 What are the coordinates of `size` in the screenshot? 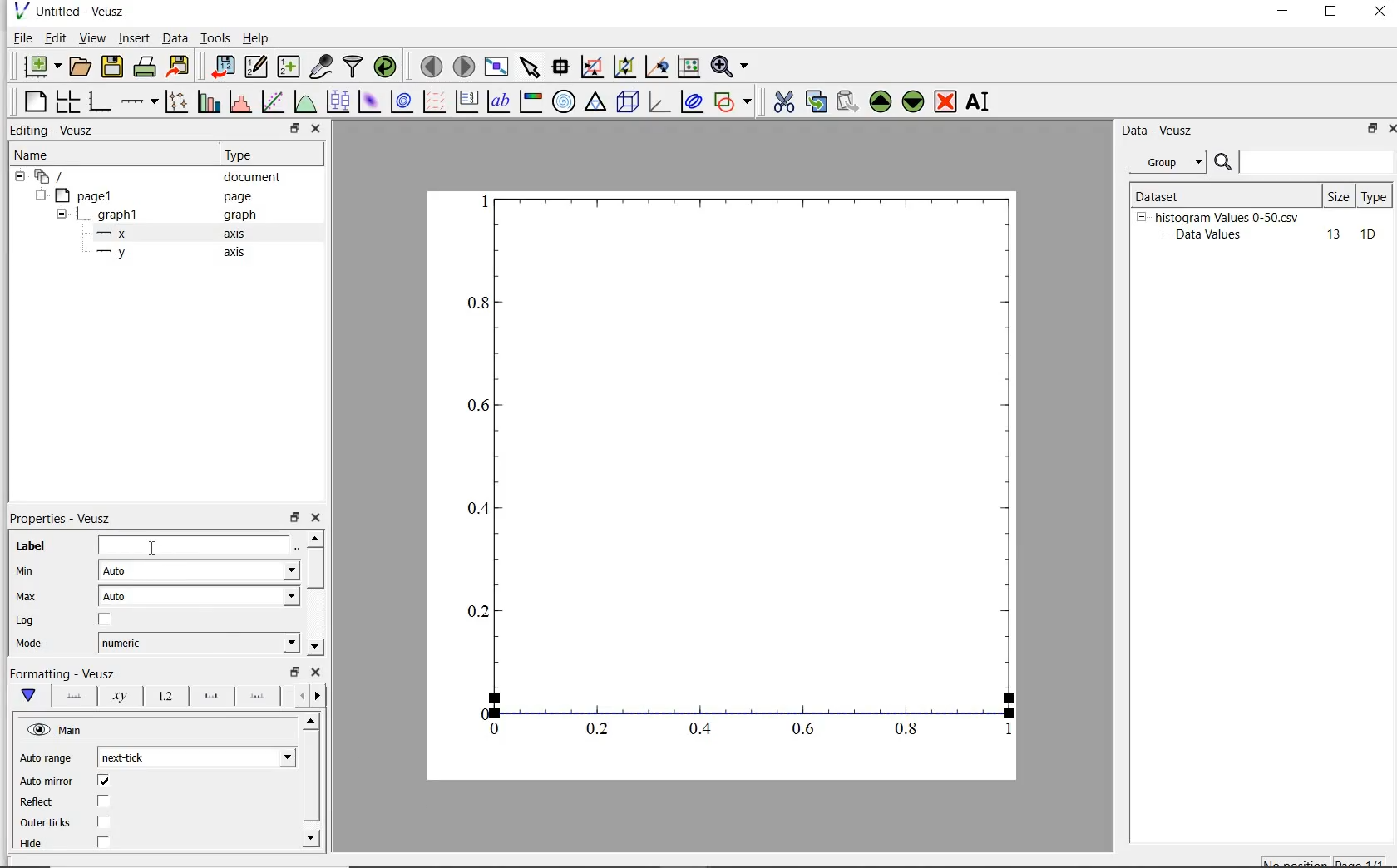 It's located at (1338, 196).